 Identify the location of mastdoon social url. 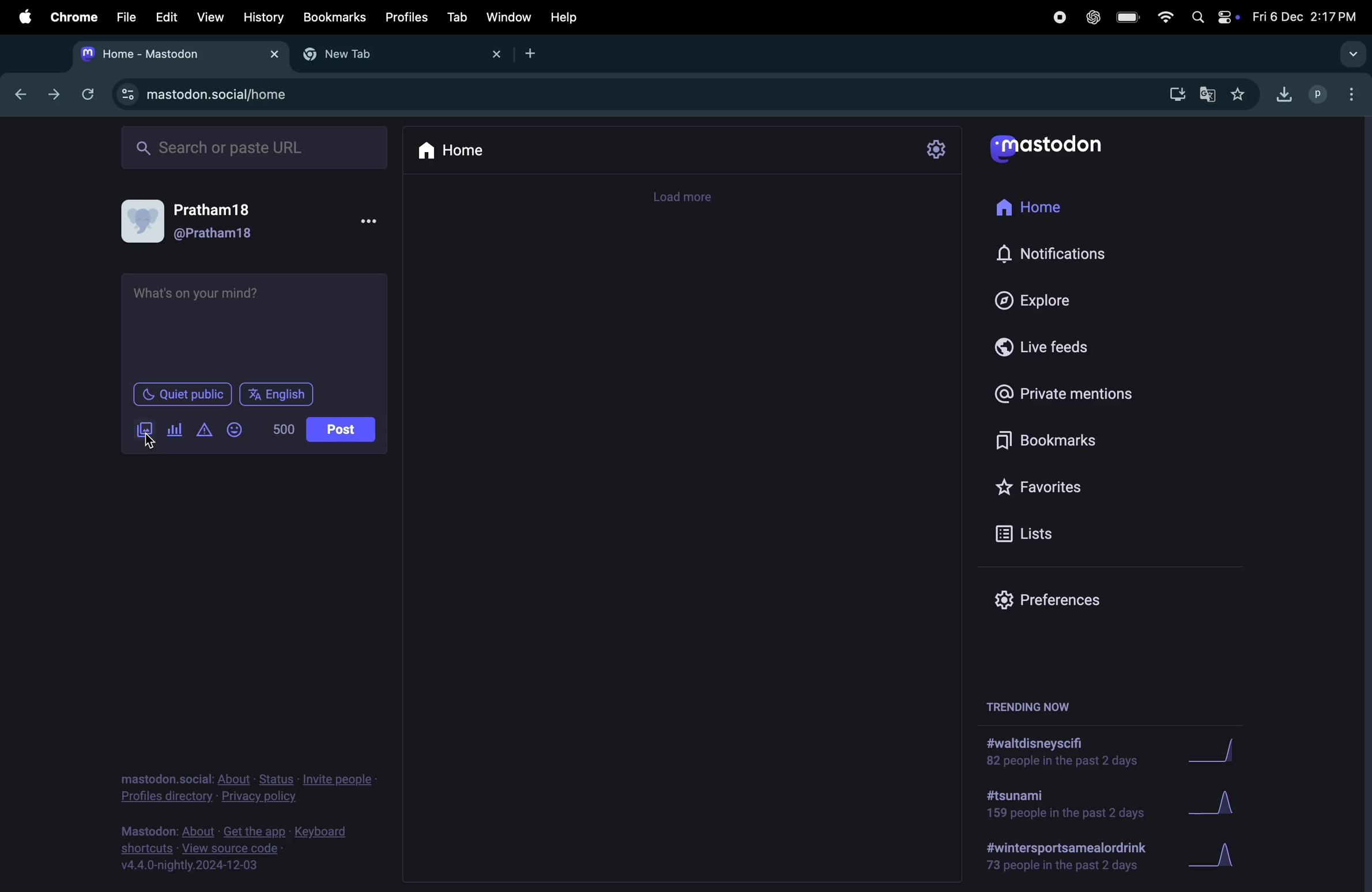
(205, 93).